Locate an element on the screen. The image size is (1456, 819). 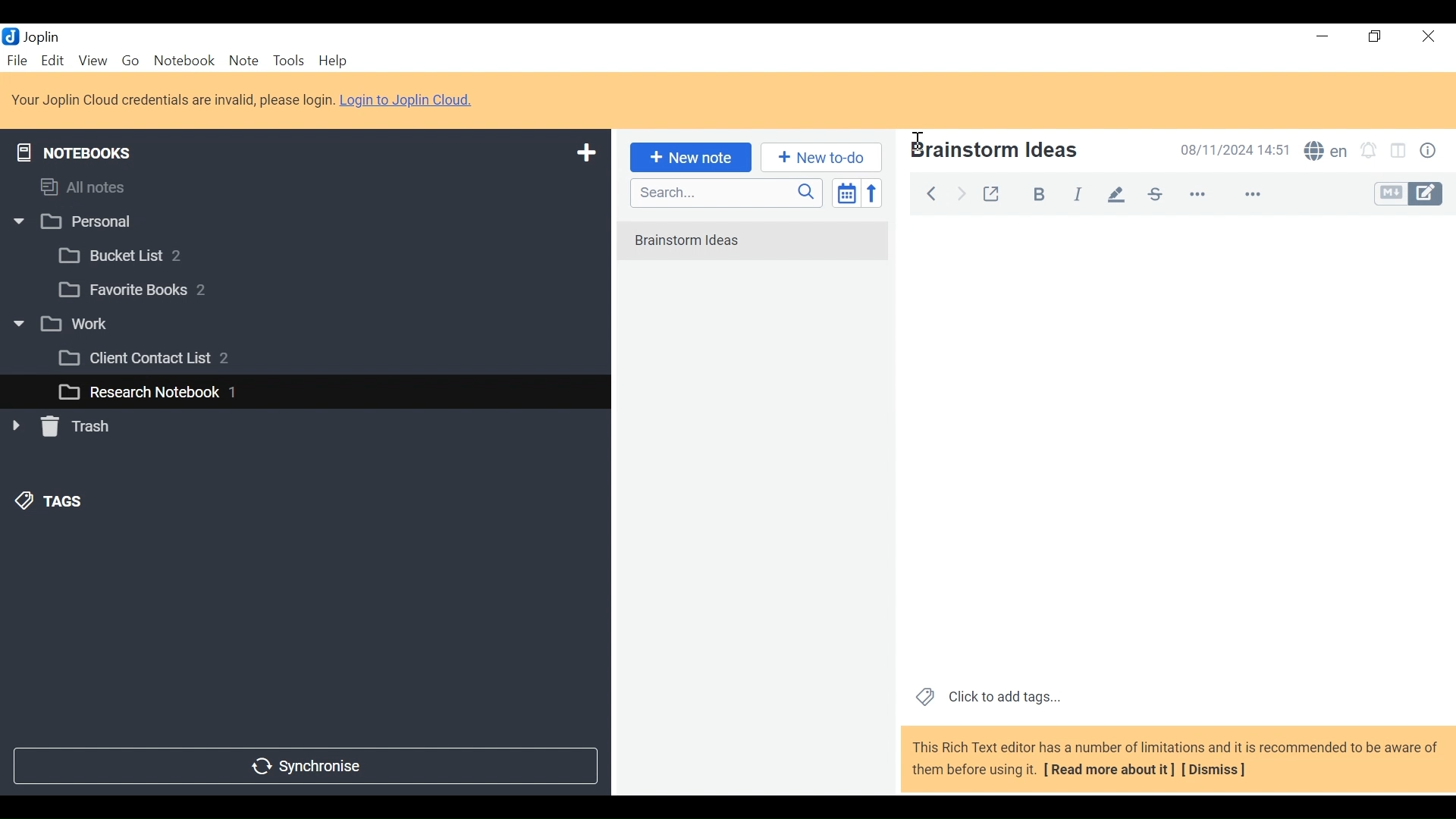
Restore is located at coordinates (1376, 37).